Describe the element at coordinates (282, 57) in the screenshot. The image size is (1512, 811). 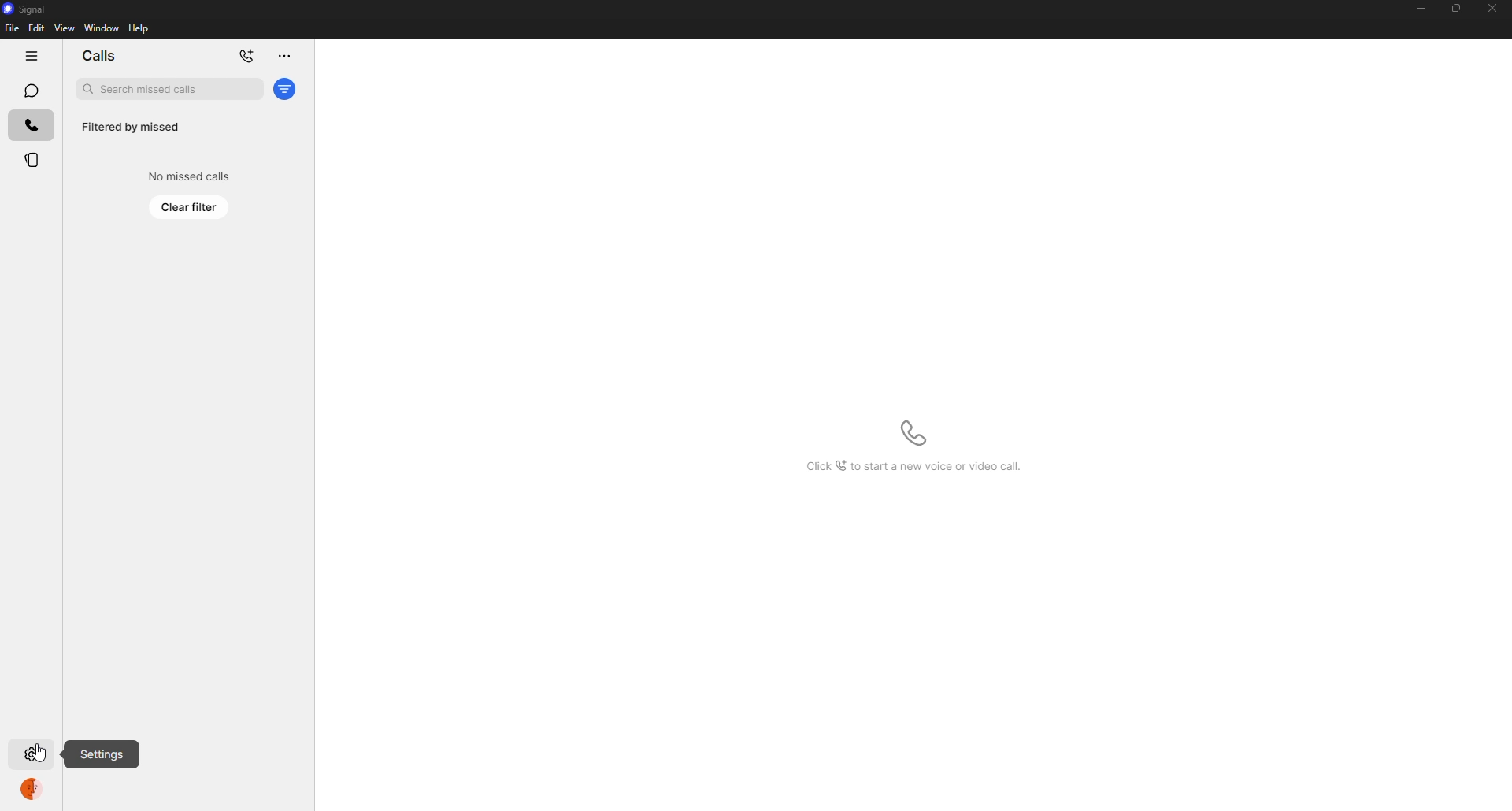
I see `more` at that location.